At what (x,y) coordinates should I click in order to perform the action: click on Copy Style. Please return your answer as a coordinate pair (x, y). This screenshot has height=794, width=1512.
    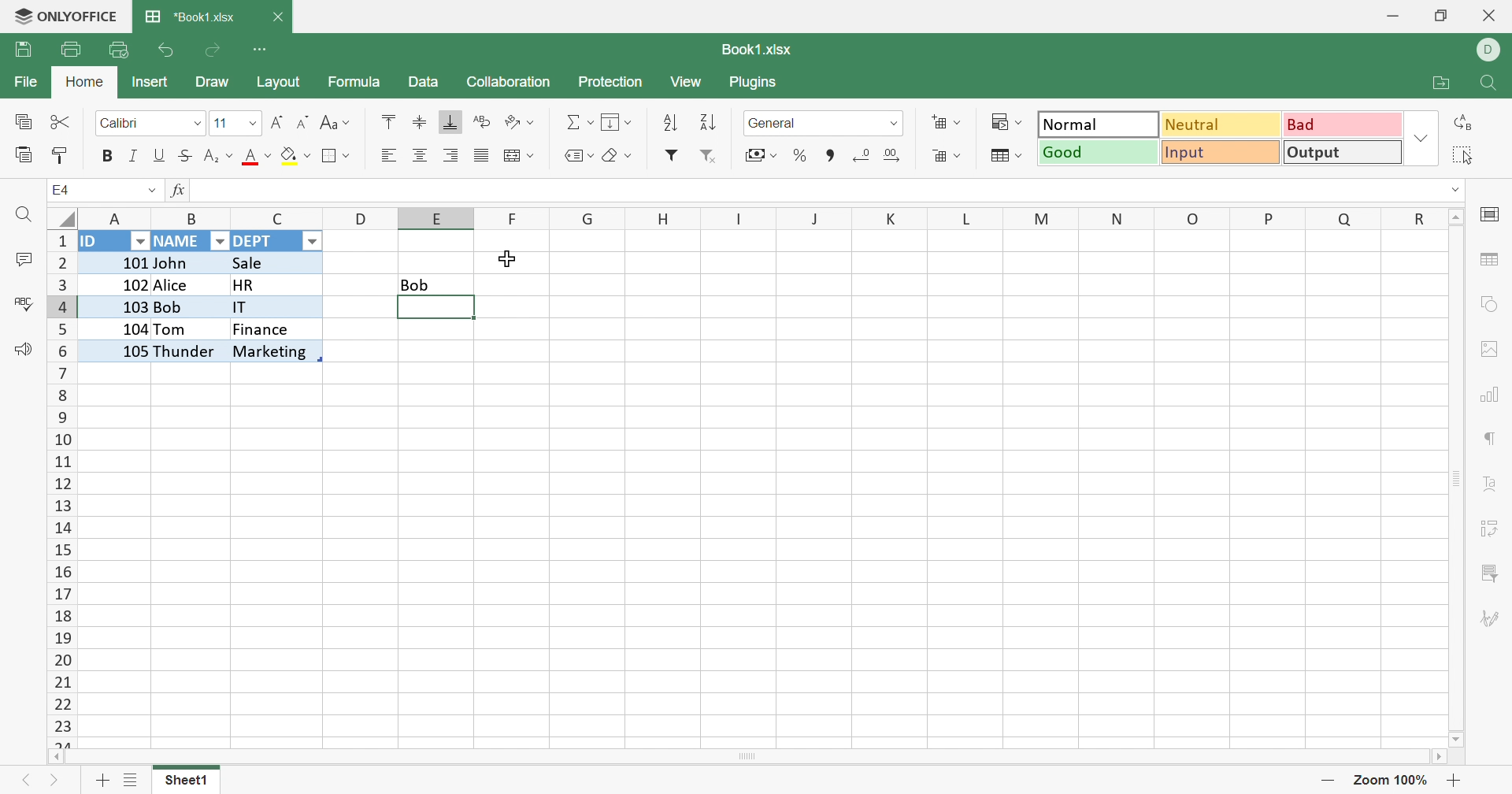
    Looking at the image, I should click on (62, 157).